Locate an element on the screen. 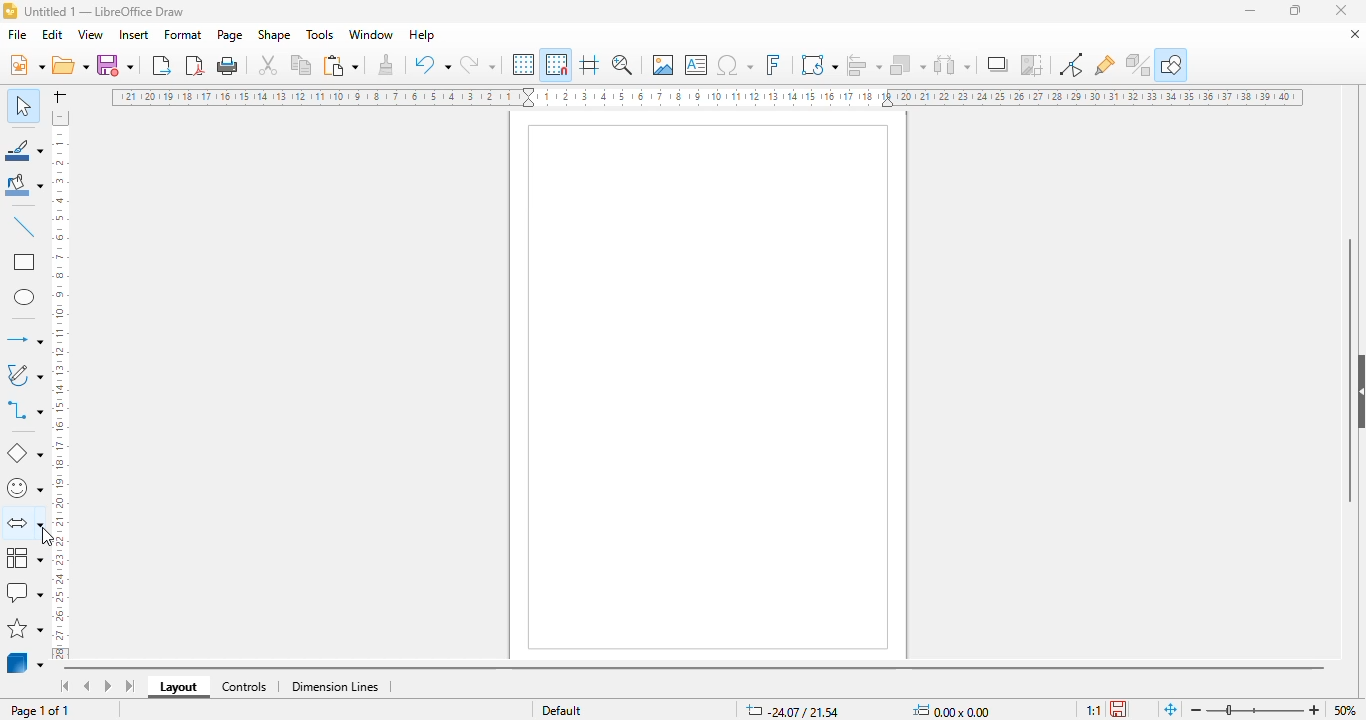 The width and height of the screenshot is (1366, 720). transformations is located at coordinates (819, 64).